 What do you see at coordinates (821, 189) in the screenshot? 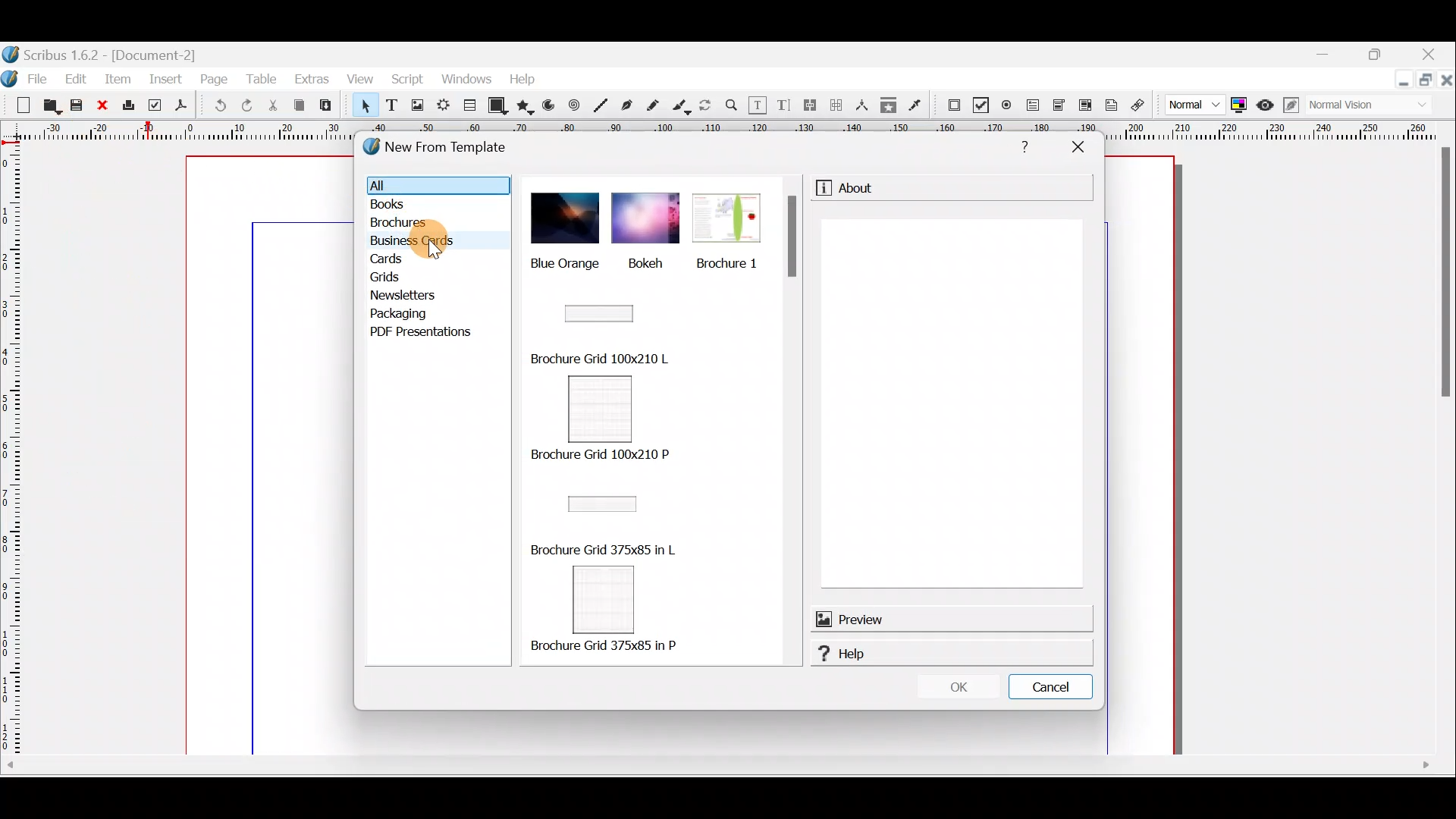
I see `information` at bounding box center [821, 189].